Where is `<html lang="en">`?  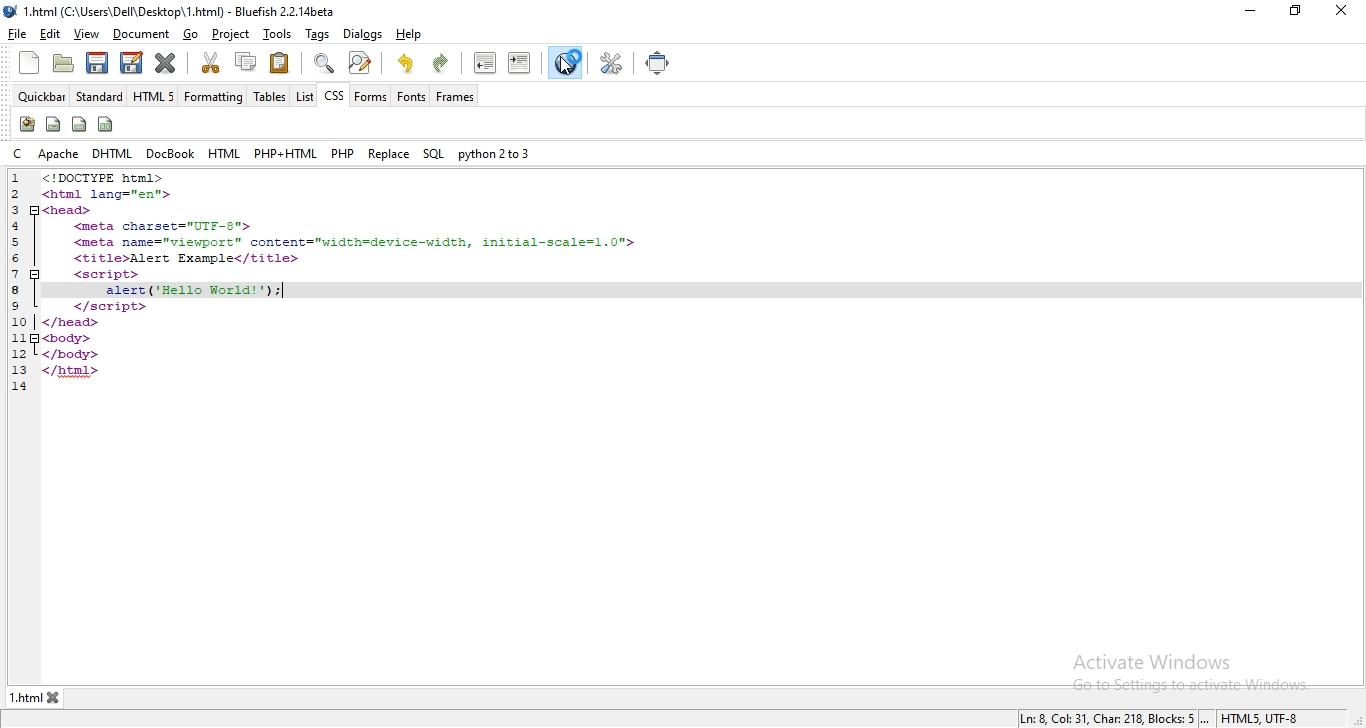 <html lang="en"> is located at coordinates (108, 193).